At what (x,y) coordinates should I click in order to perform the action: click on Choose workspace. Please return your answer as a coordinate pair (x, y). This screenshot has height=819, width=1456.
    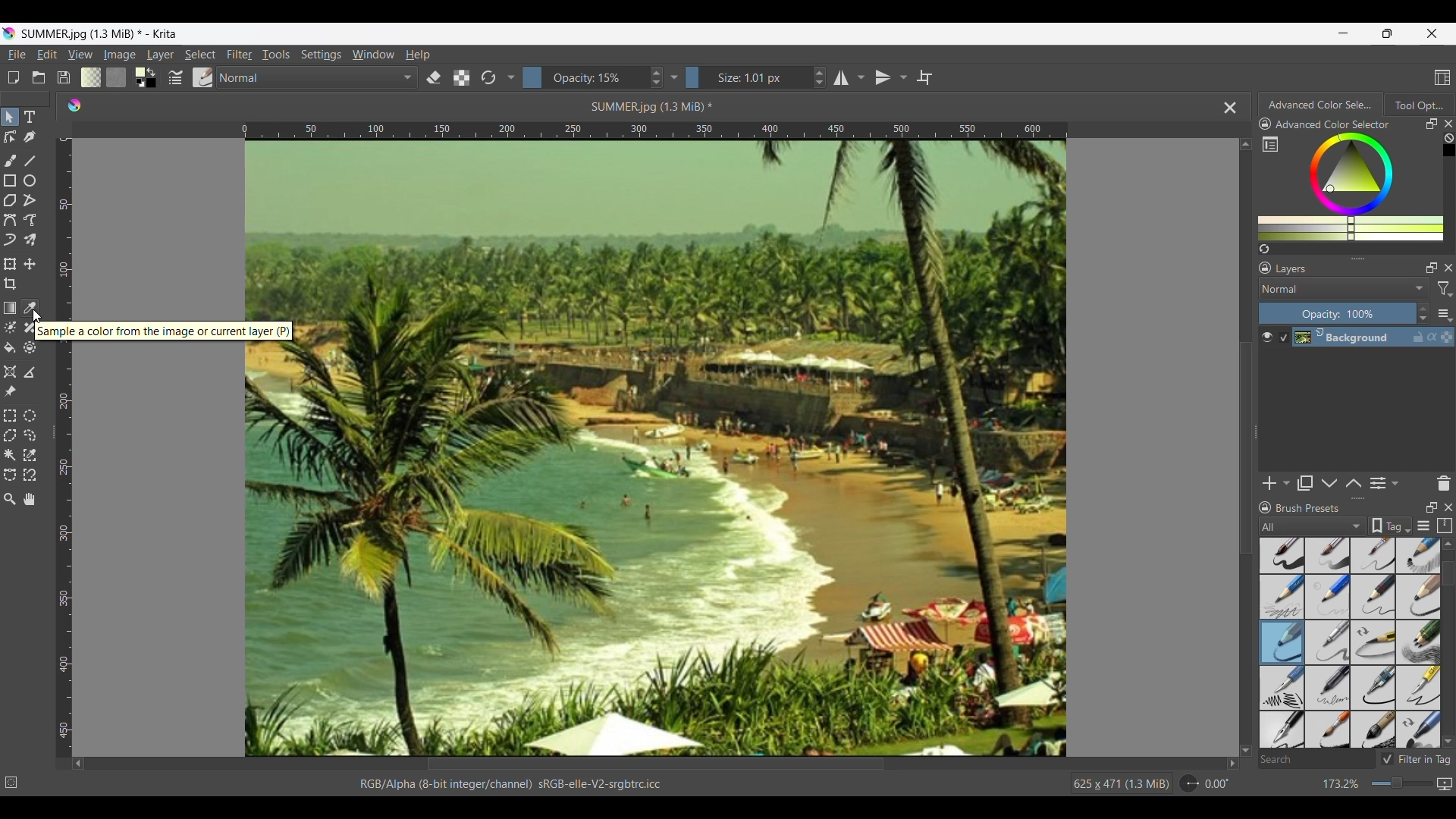
    Looking at the image, I should click on (1442, 77).